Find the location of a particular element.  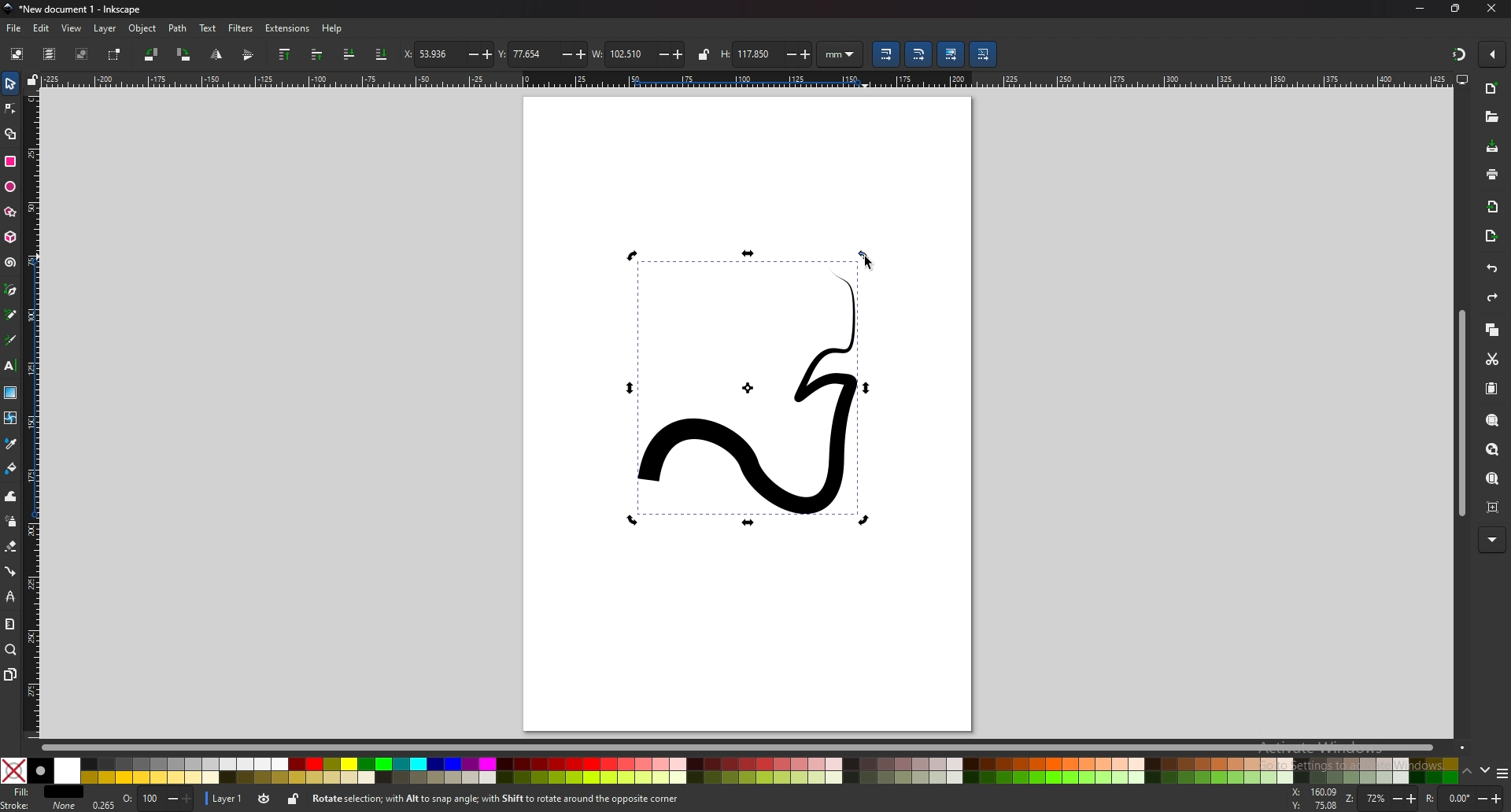

MORE is located at coordinates (1491, 538).